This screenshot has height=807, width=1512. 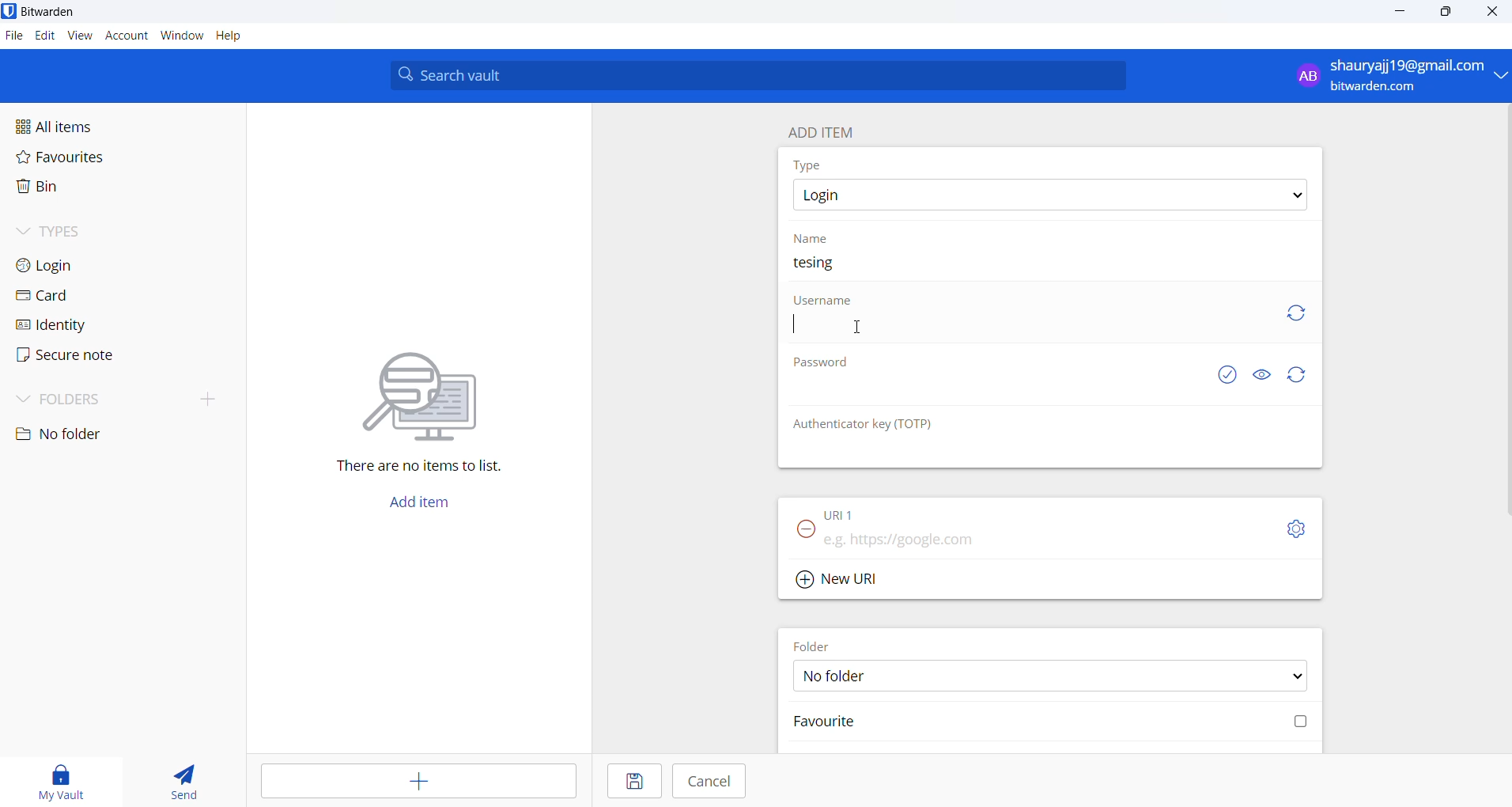 What do you see at coordinates (181, 37) in the screenshot?
I see `window` at bounding box center [181, 37].